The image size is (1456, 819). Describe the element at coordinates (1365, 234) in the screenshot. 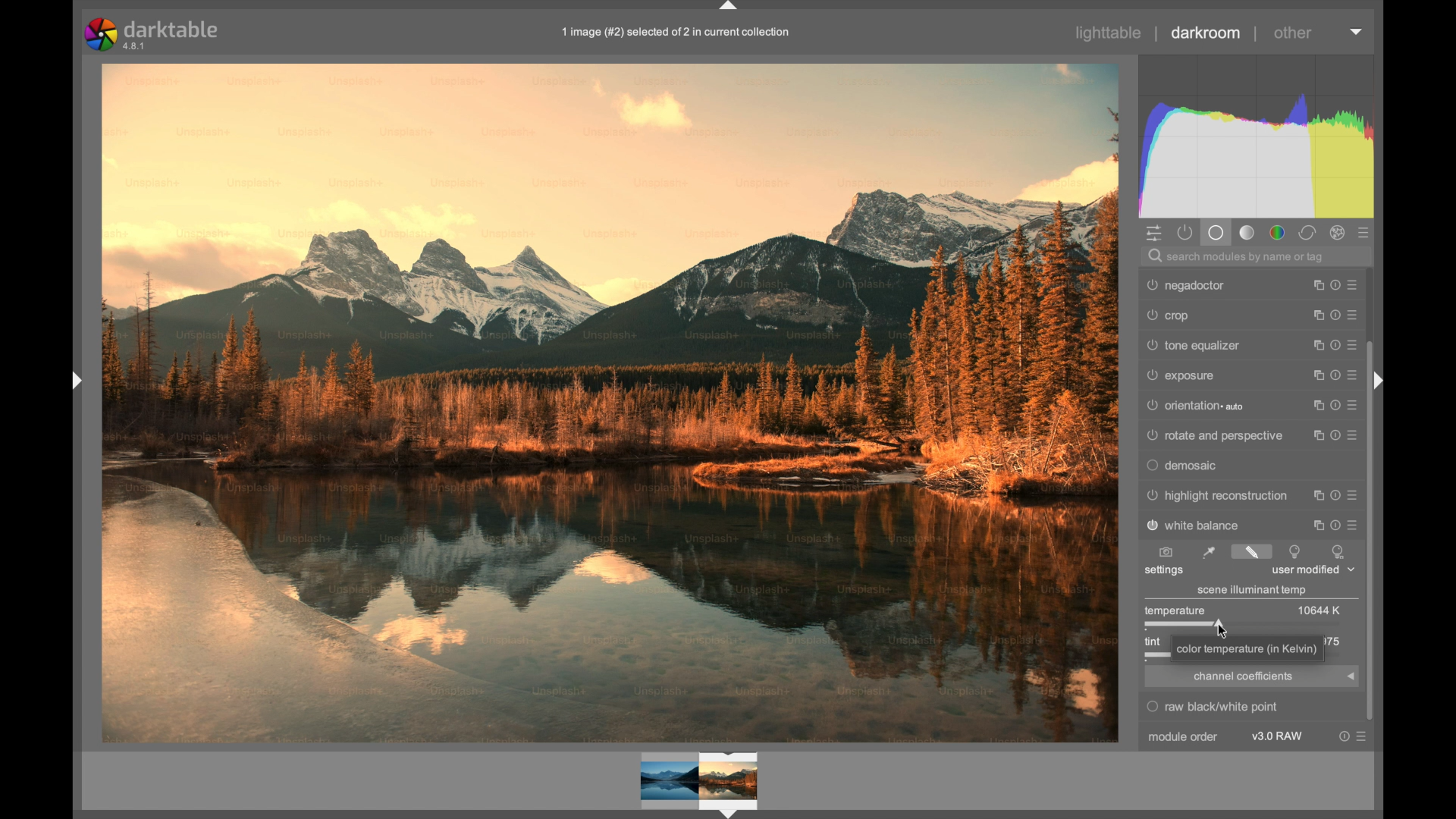

I see `presets` at that location.